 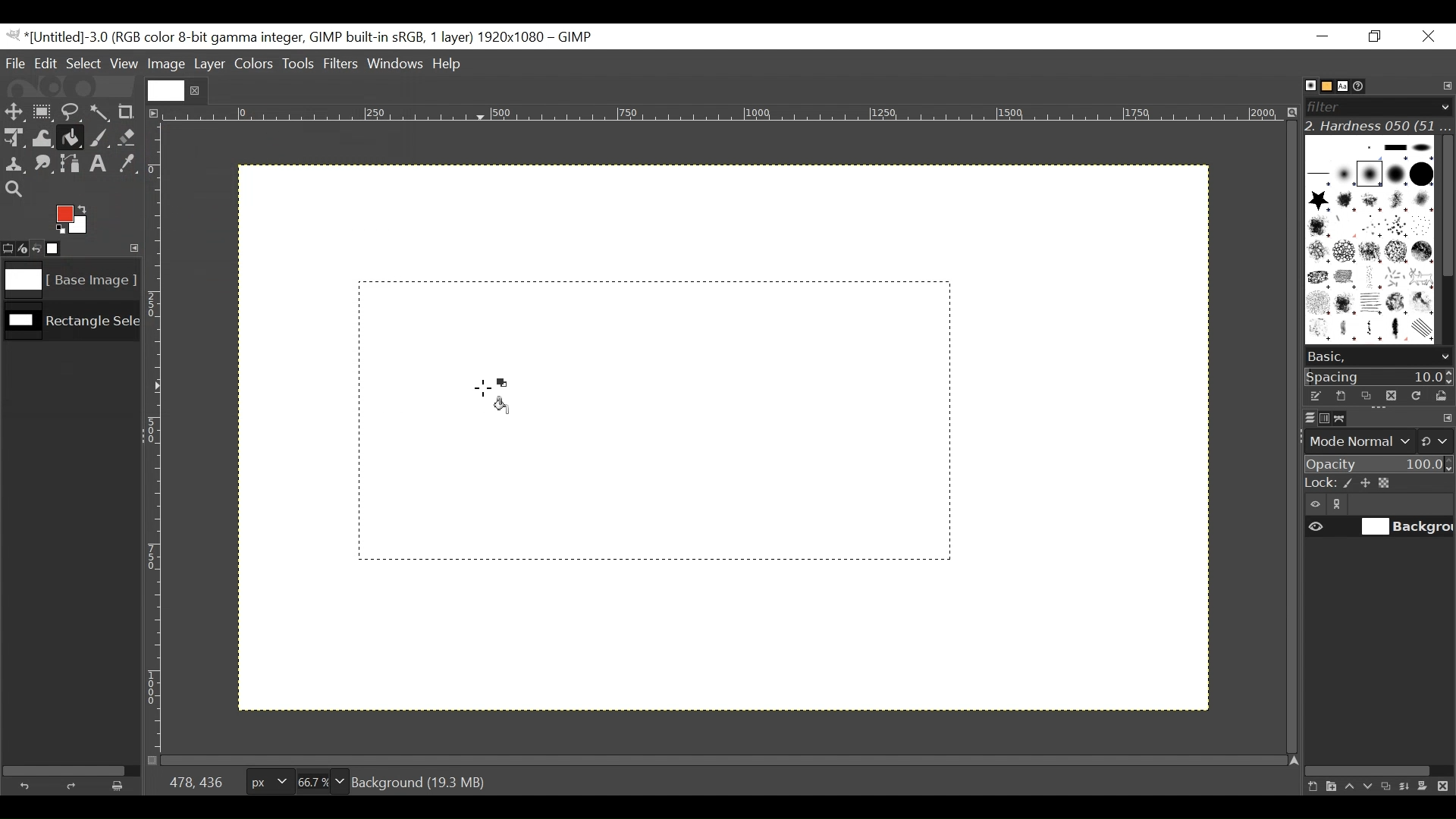 What do you see at coordinates (65, 280) in the screenshot?
I see `Image` at bounding box center [65, 280].